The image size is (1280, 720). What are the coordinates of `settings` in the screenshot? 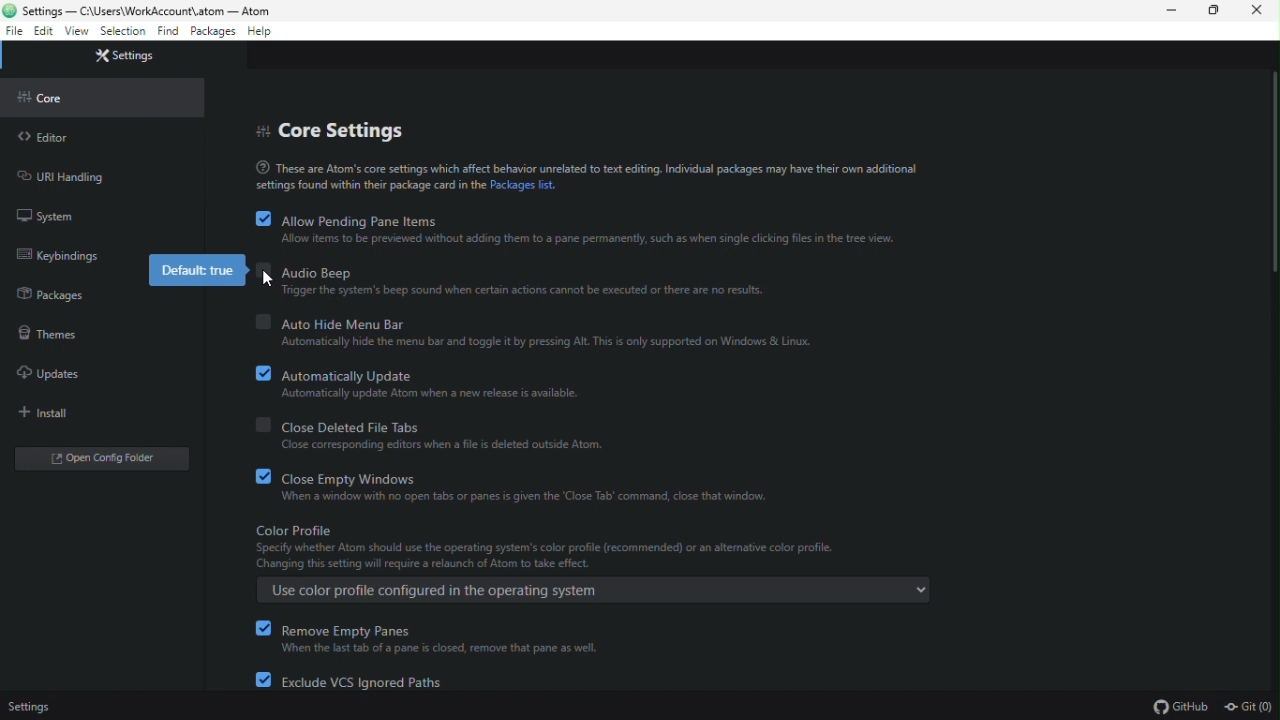 It's located at (36, 701).